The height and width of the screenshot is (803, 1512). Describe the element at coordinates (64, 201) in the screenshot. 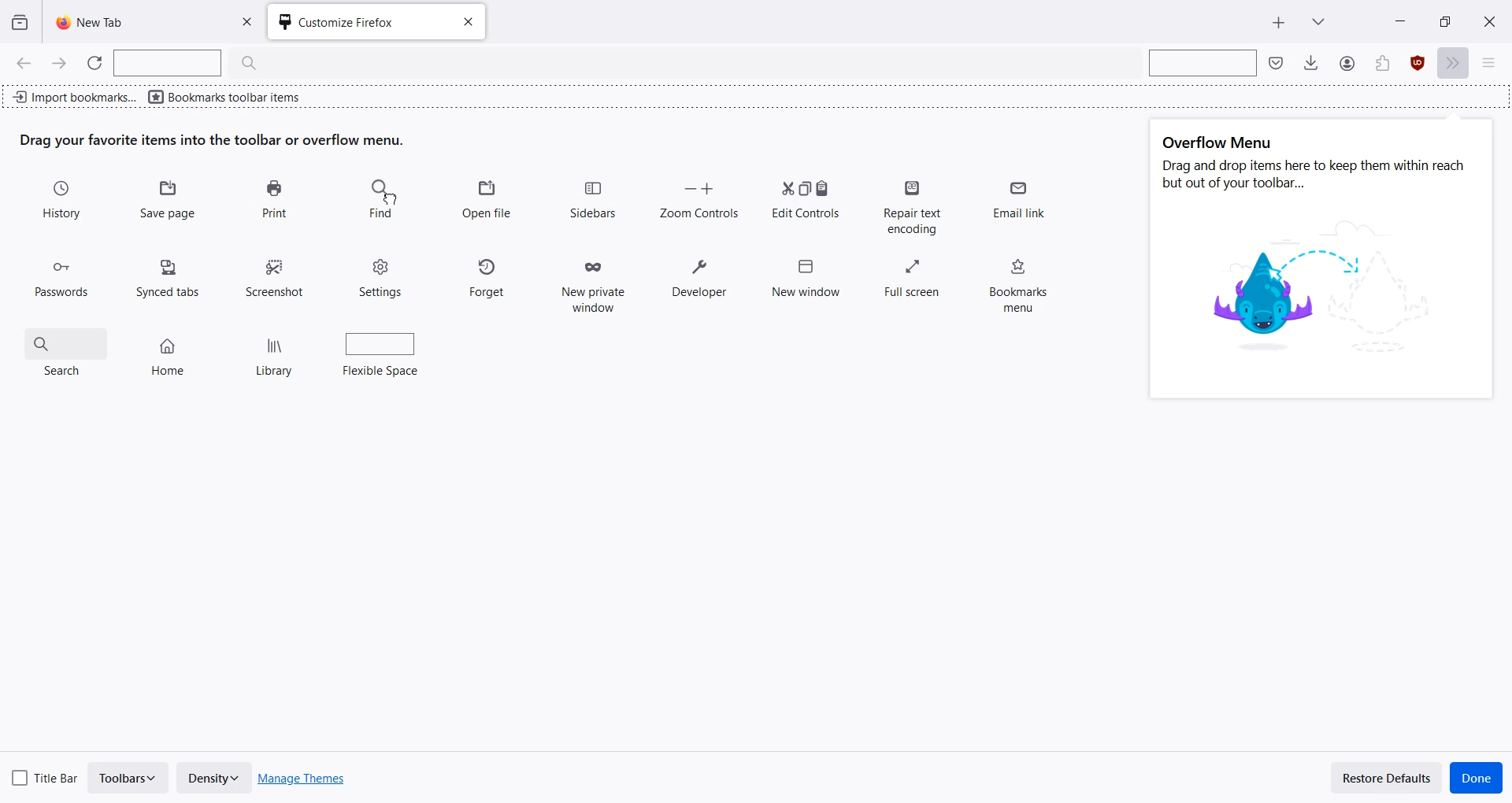

I see `History` at that location.